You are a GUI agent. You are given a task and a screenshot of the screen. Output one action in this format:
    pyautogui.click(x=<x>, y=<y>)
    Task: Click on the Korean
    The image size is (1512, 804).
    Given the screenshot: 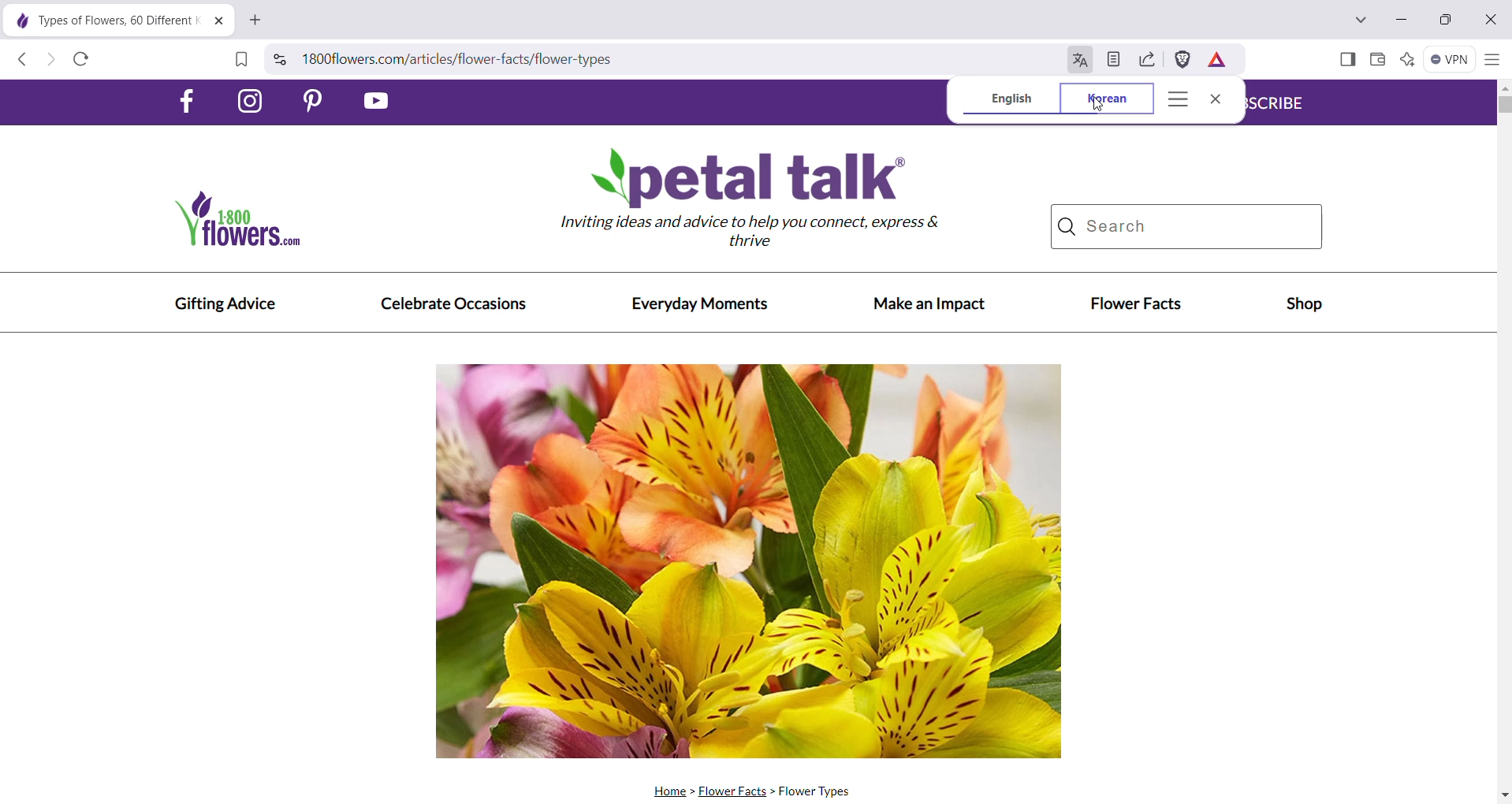 What is the action you would take?
    pyautogui.click(x=1106, y=99)
    